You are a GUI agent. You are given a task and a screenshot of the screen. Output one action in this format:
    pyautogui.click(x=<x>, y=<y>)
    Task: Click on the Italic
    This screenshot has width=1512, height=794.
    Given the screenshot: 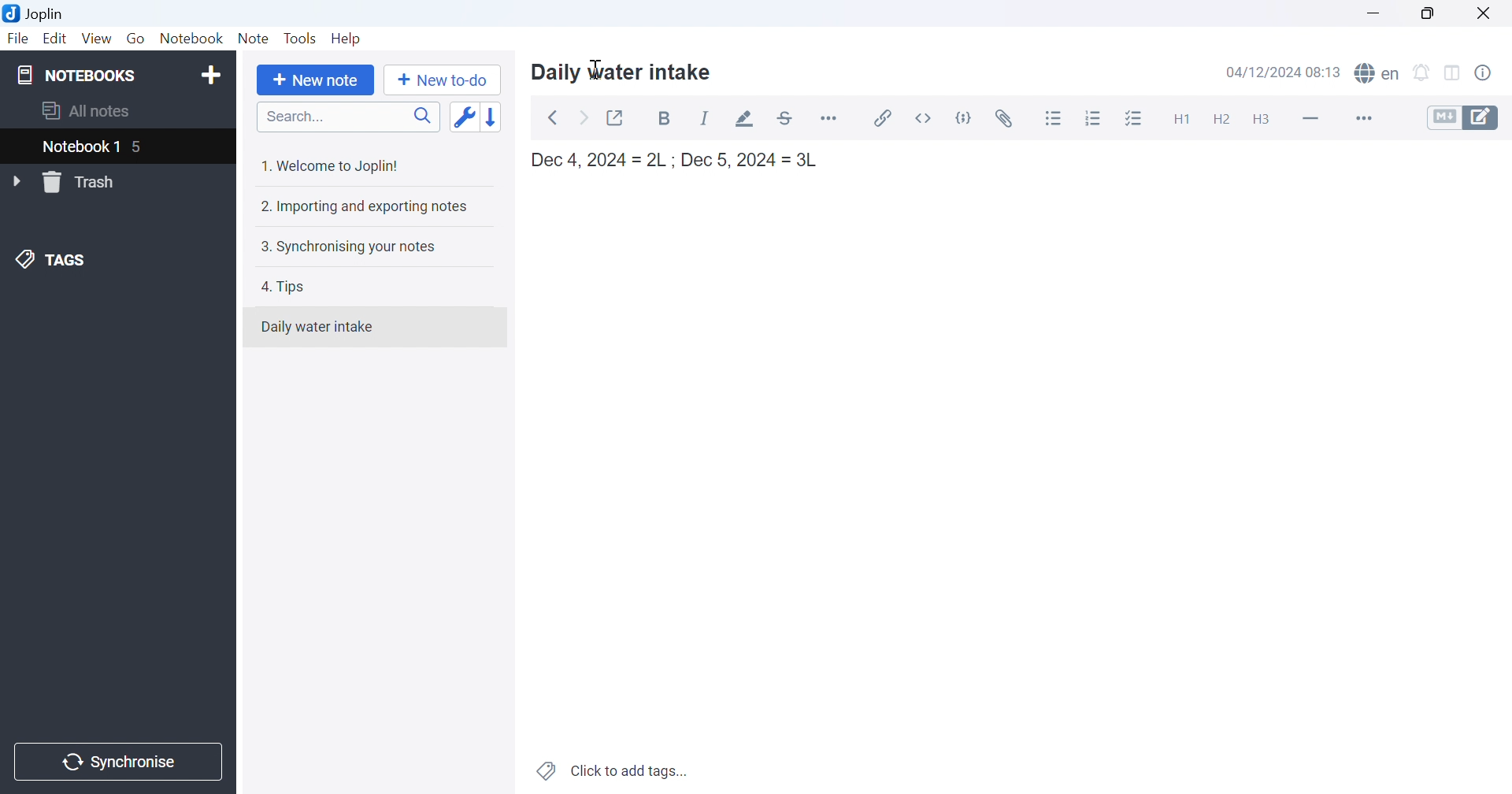 What is the action you would take?
    pyautogui.click(x=706, y=118)
    